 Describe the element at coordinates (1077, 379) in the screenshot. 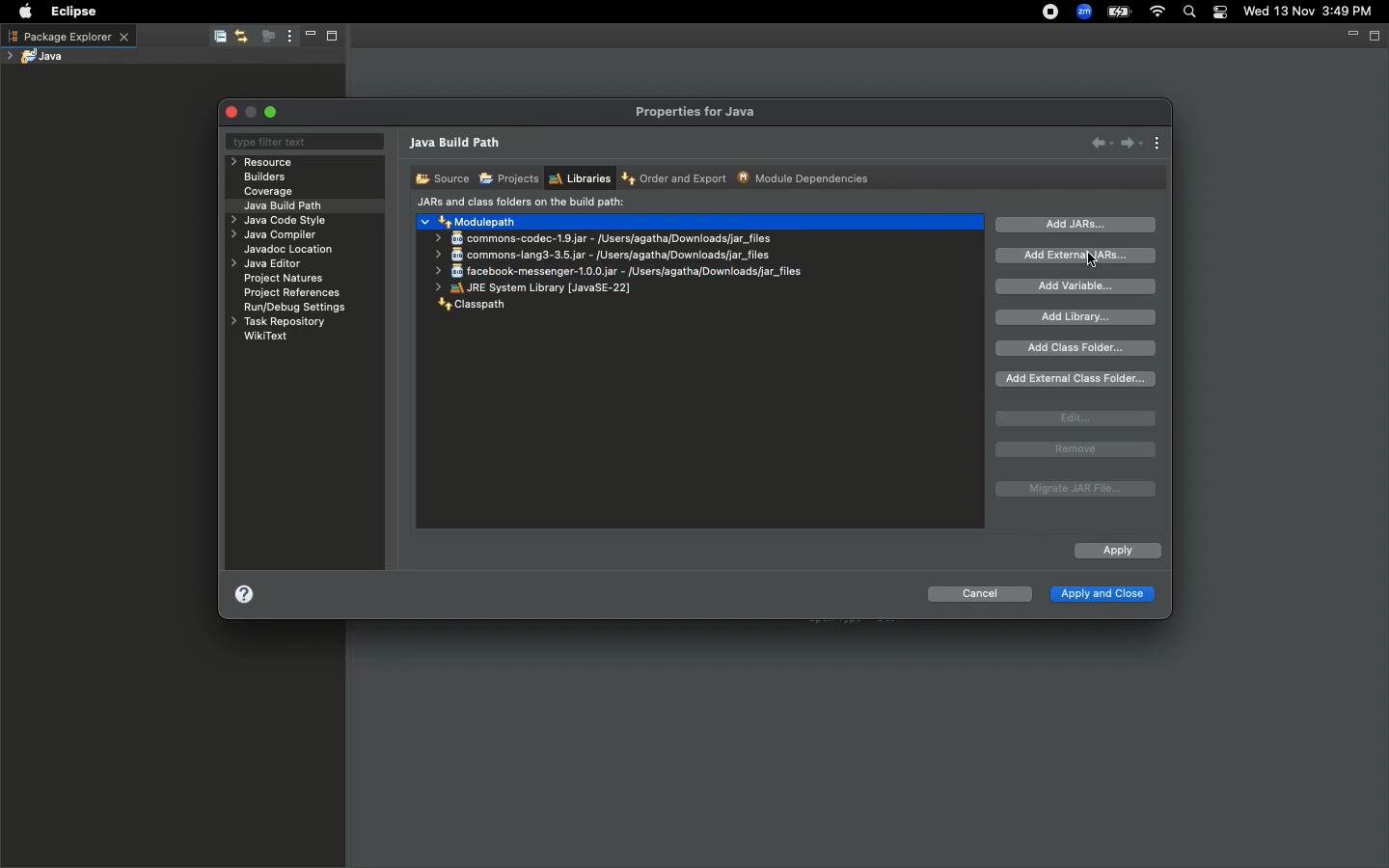

I see `Add external class folder` at that location.